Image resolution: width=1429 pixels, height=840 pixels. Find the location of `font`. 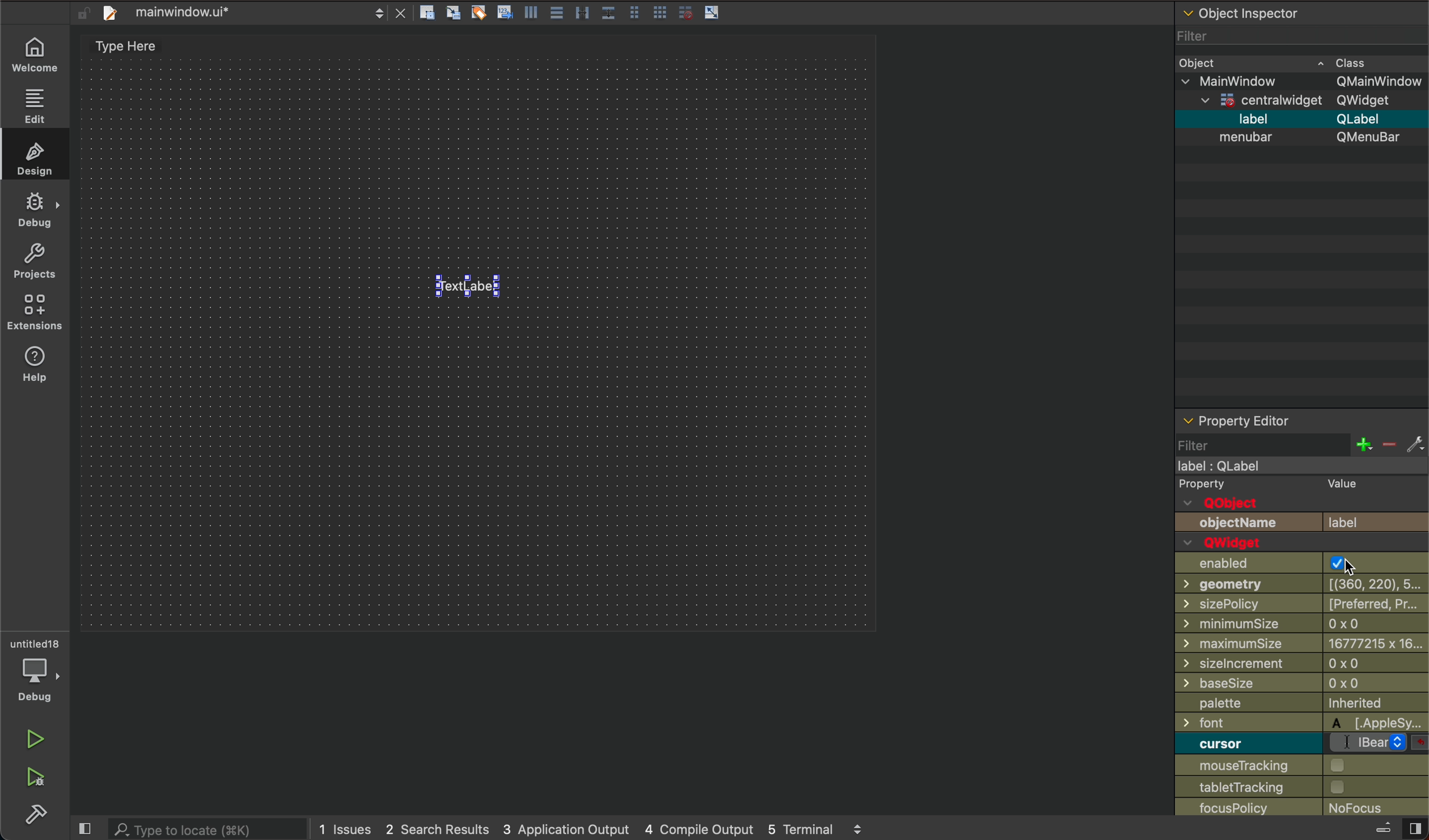

font is located at coordinates (1211, 722).